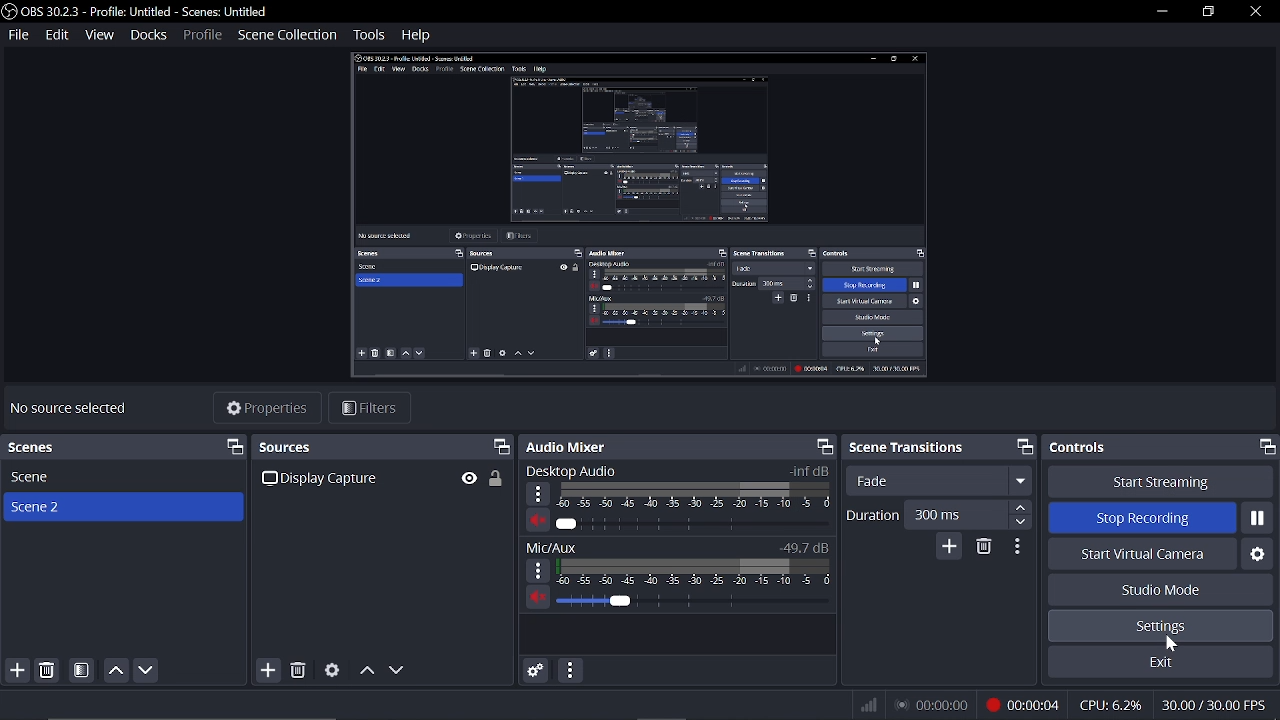 The height and width of the screenshot is (720, 1280). I want to click on Desktop Audio, so click(587, 470).